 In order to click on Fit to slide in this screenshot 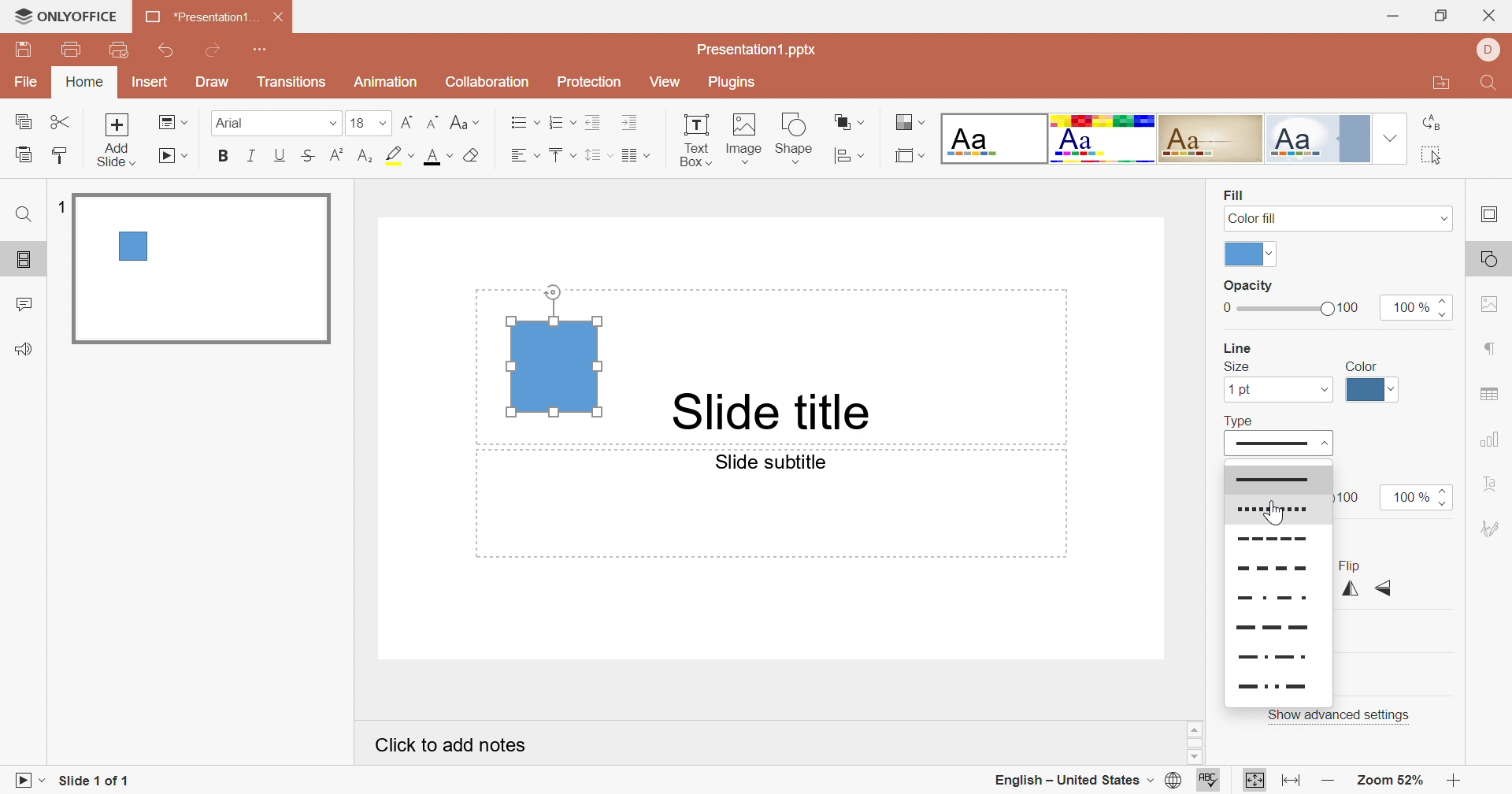, I will do `click(1254, 780)`.